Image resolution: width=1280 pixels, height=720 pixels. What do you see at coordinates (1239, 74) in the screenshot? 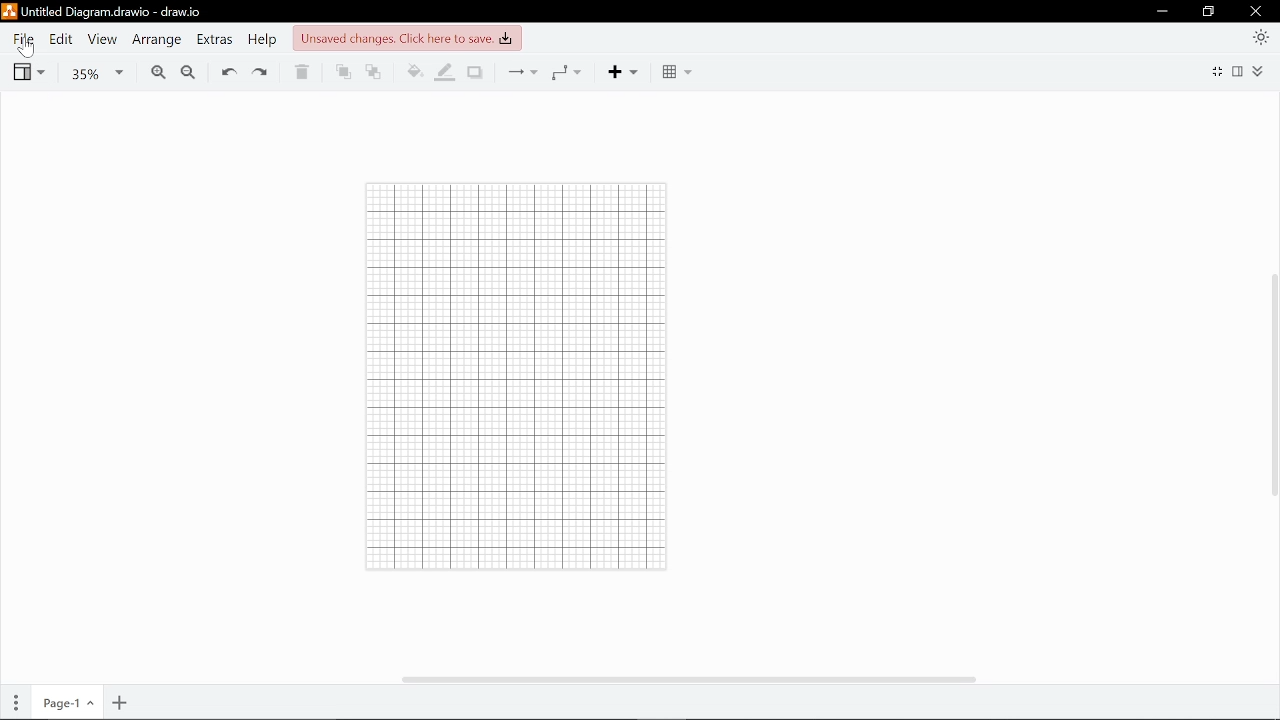
I see `format` at bounding box center [1239, 74].